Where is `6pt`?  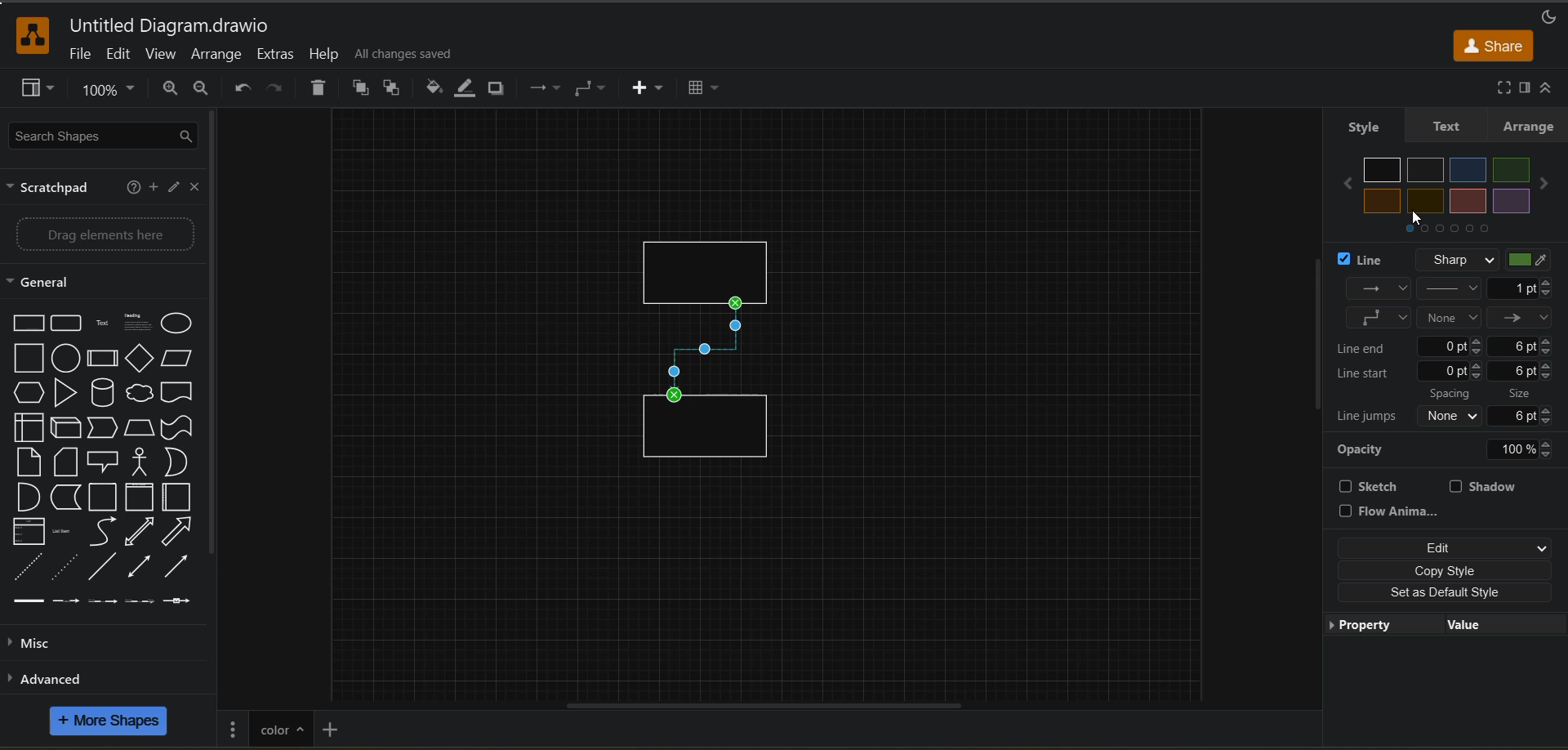 6pt is located at coordinates (1523, 346).